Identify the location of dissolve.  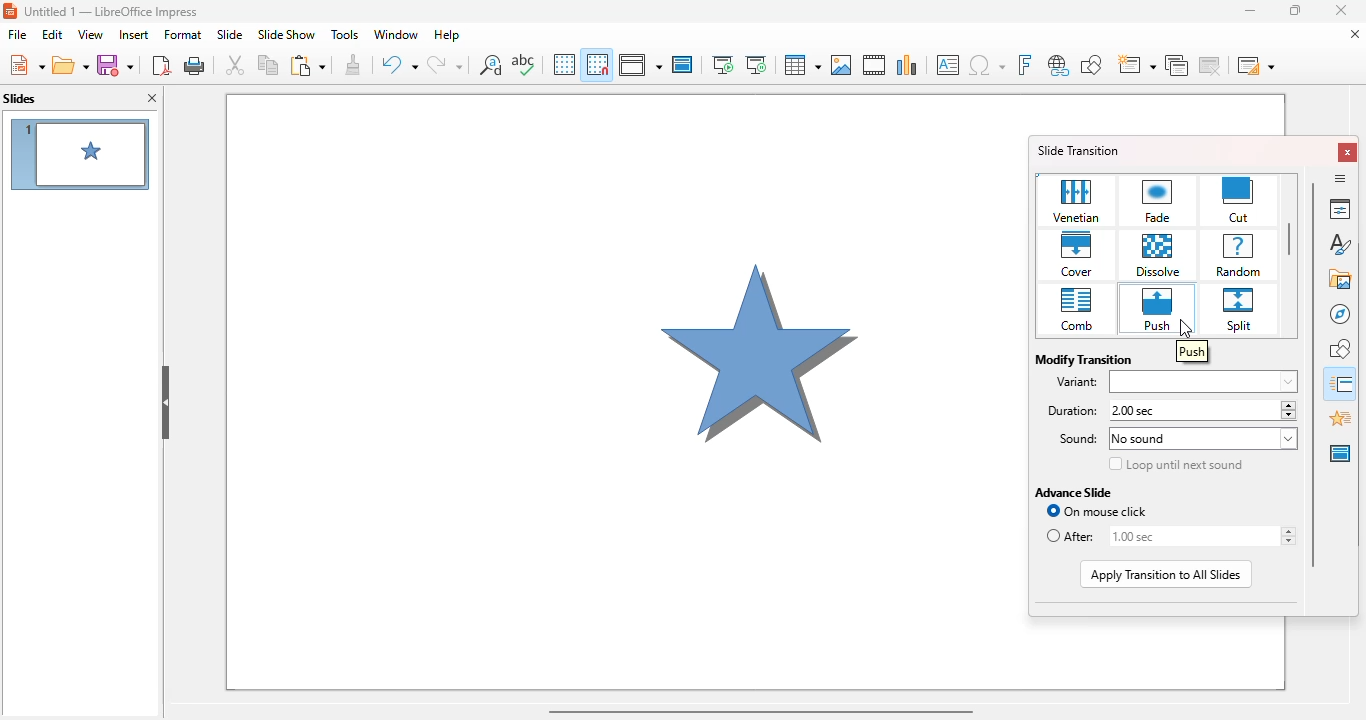
(1159, 256).